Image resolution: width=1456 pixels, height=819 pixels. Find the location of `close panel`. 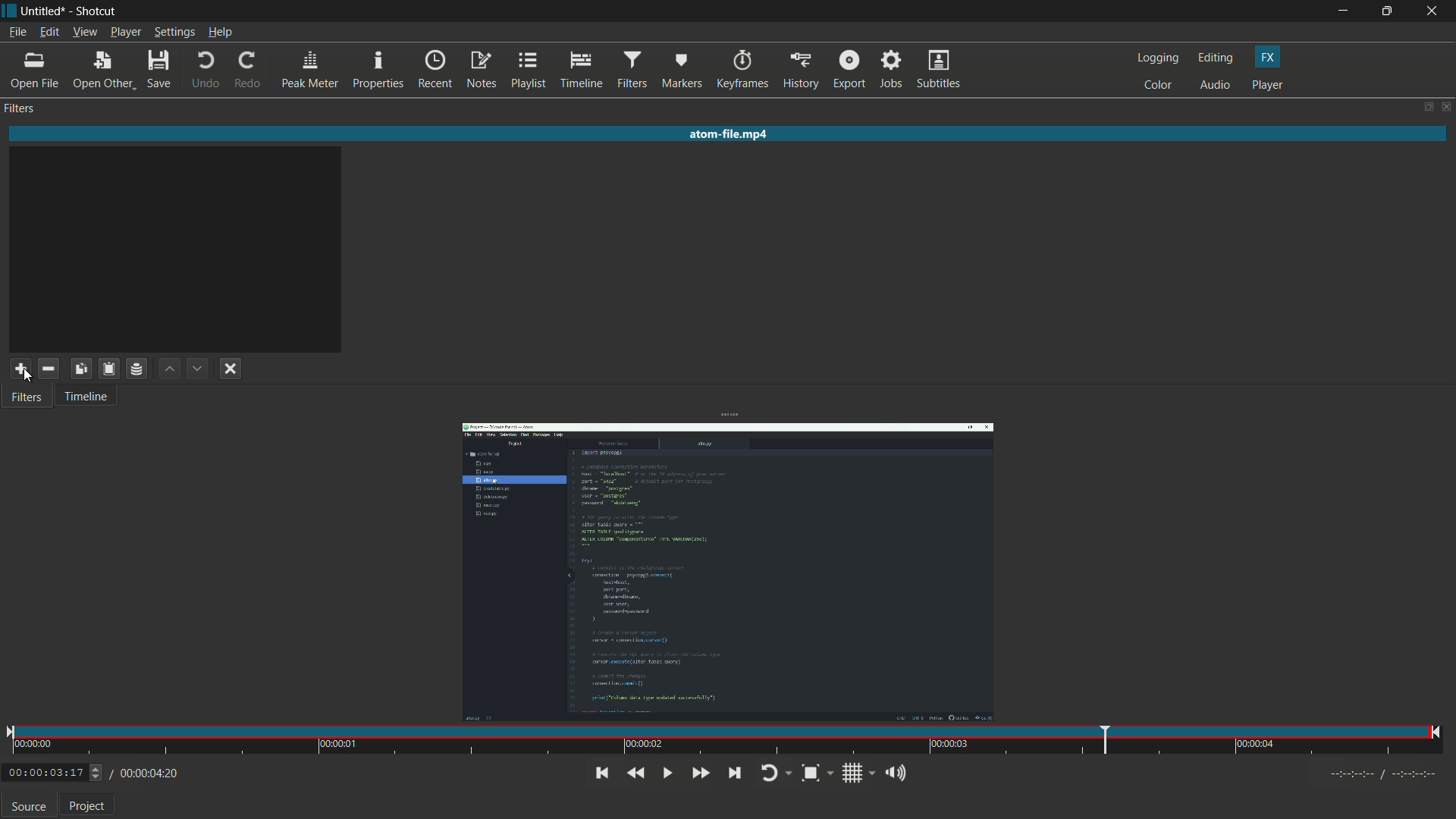

close panel is located at coordinates (1445, 106).